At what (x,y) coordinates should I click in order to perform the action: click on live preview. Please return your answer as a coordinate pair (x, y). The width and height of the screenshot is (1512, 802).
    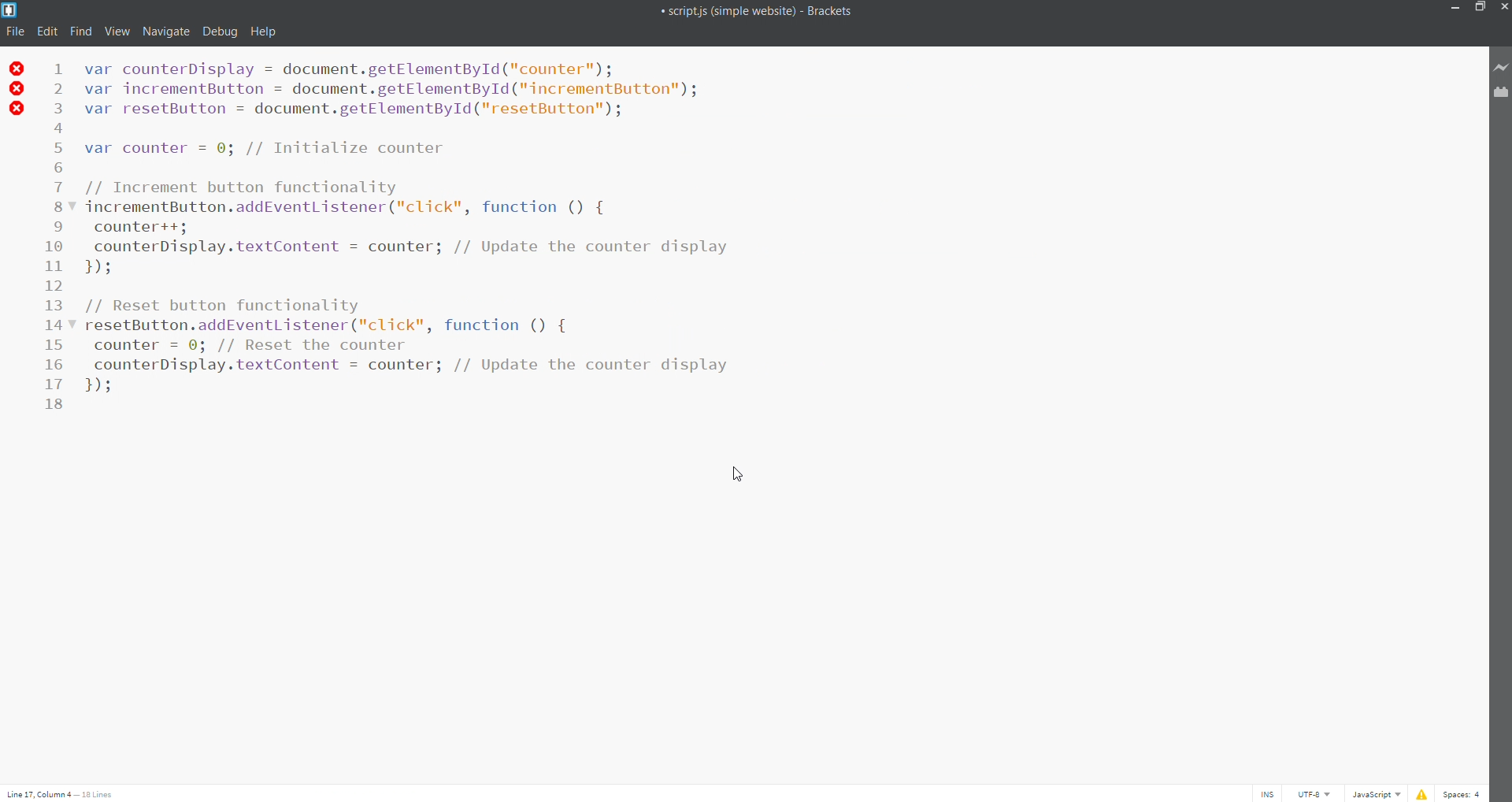
    Looking at the image, I should click on (1498, 65).